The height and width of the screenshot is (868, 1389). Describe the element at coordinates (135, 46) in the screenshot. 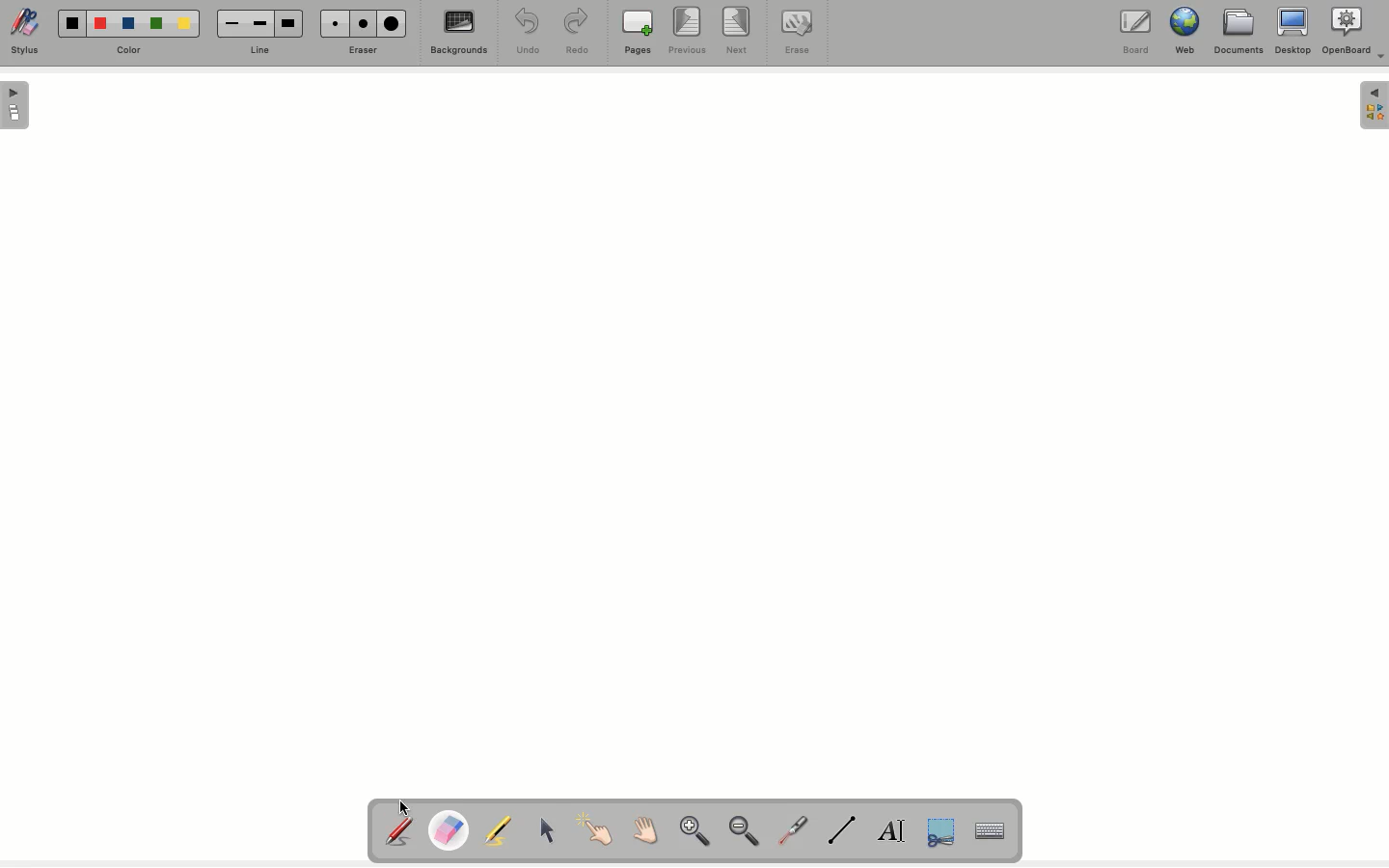

I see `Color` at that location.